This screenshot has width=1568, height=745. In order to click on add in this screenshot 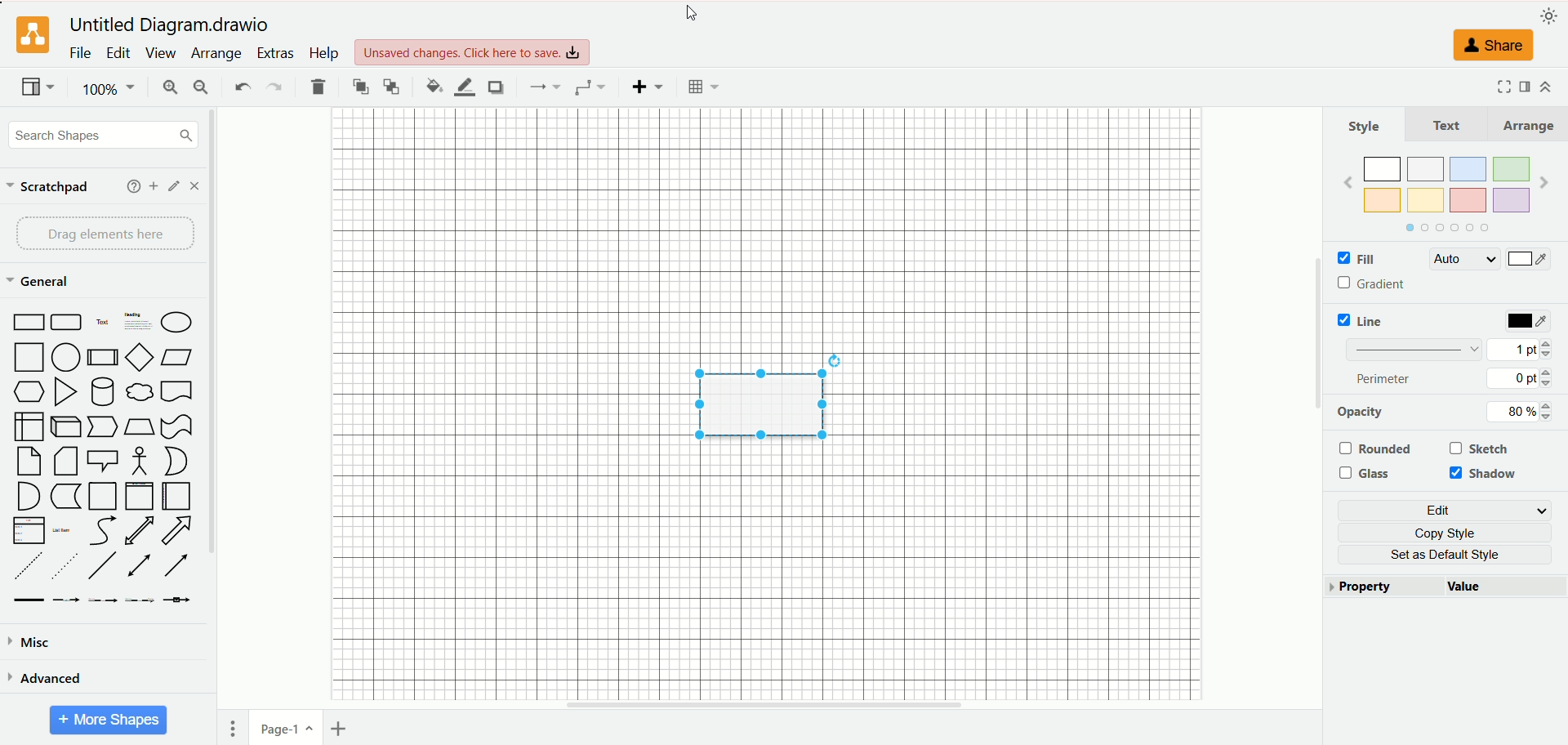, I will do `click(154, 186)`.